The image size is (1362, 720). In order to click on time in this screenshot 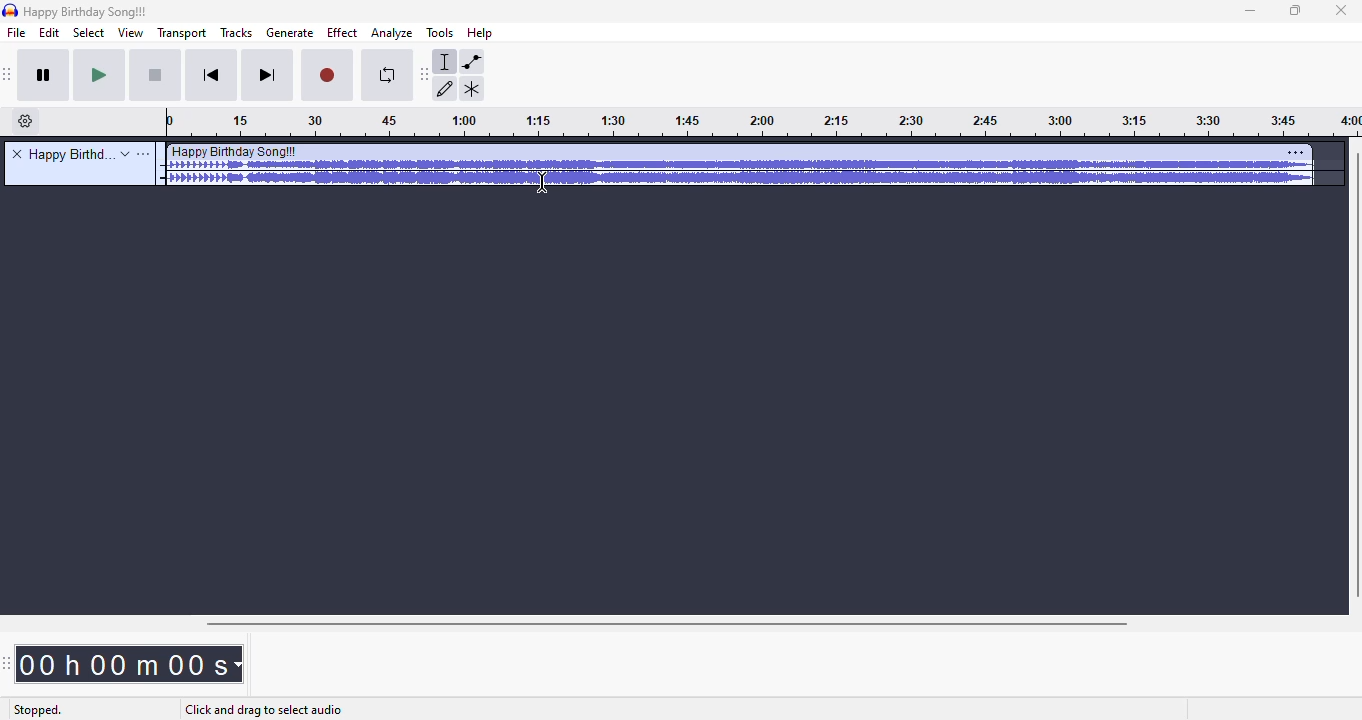, I will do `click(129, 664)`.